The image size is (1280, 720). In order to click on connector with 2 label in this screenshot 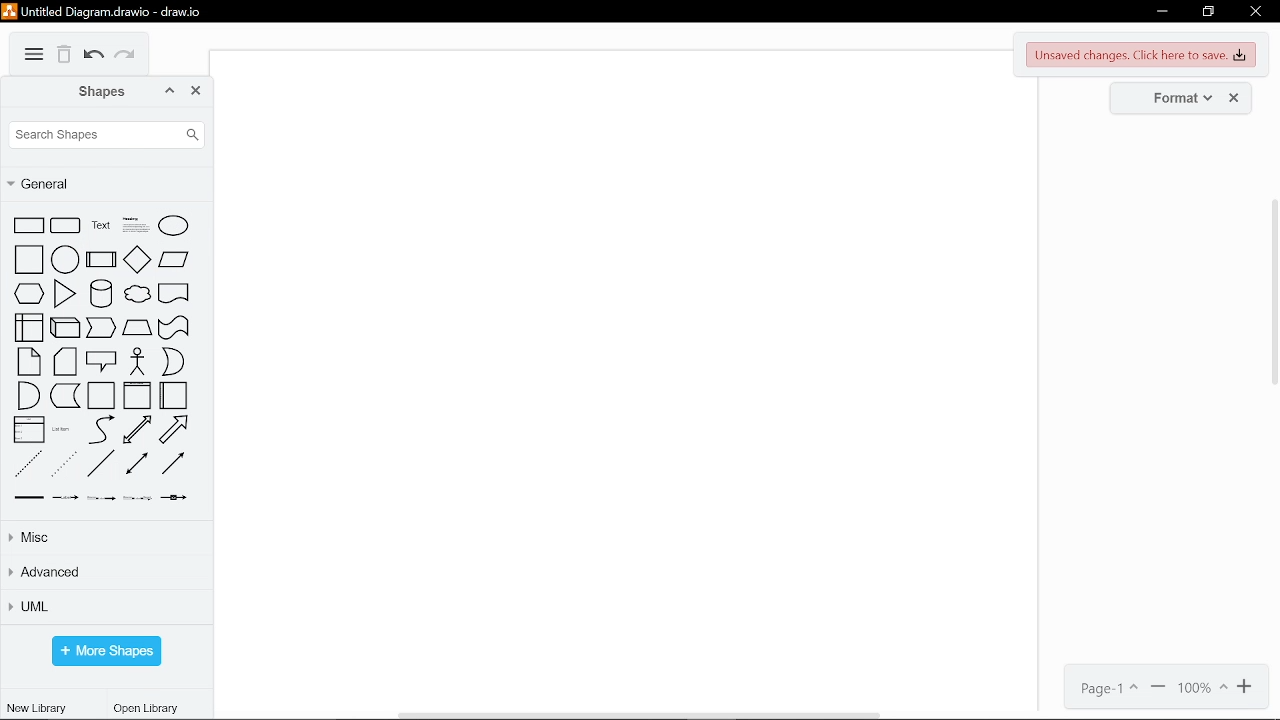, I will do `click(99, 498)`.